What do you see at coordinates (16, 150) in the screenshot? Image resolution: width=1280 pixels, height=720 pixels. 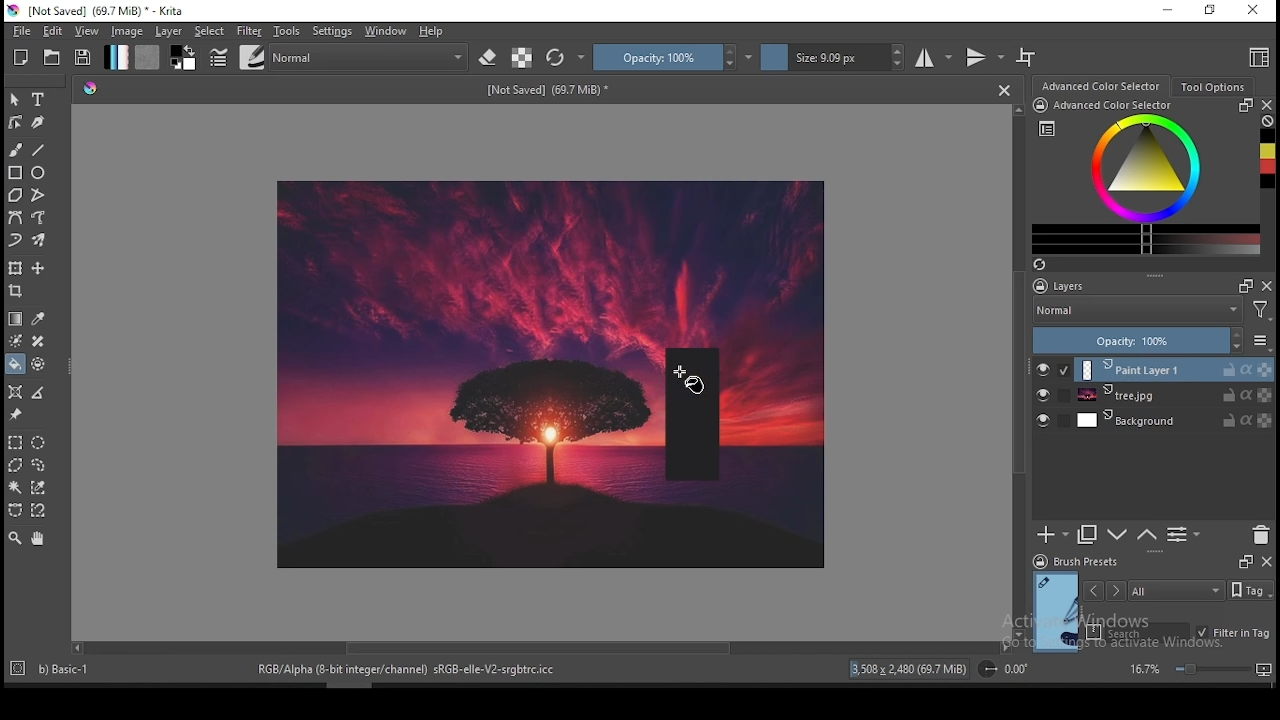 I see `brush tool` at bounding box center [16, 150].